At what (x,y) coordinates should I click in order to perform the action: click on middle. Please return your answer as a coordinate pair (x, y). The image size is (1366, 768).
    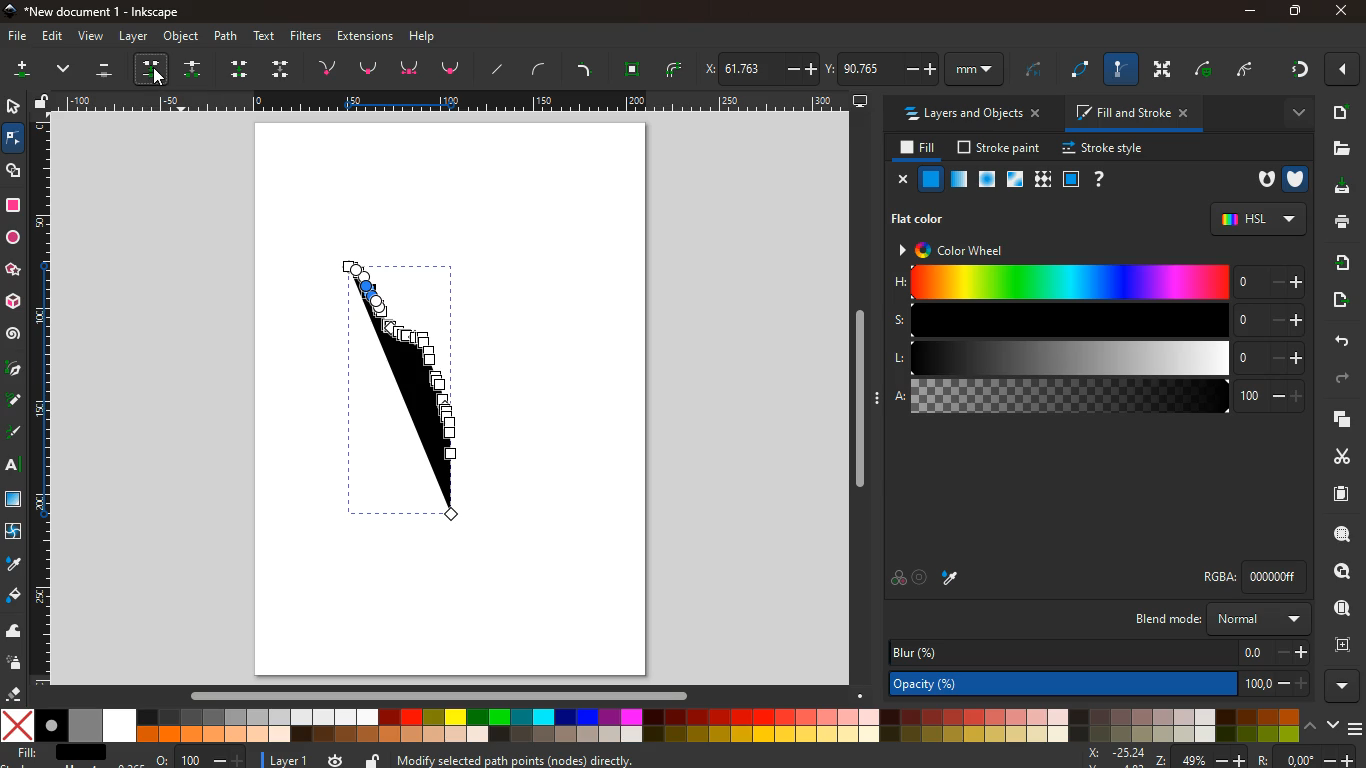
    Looking at the image, I should click on (242, 69).